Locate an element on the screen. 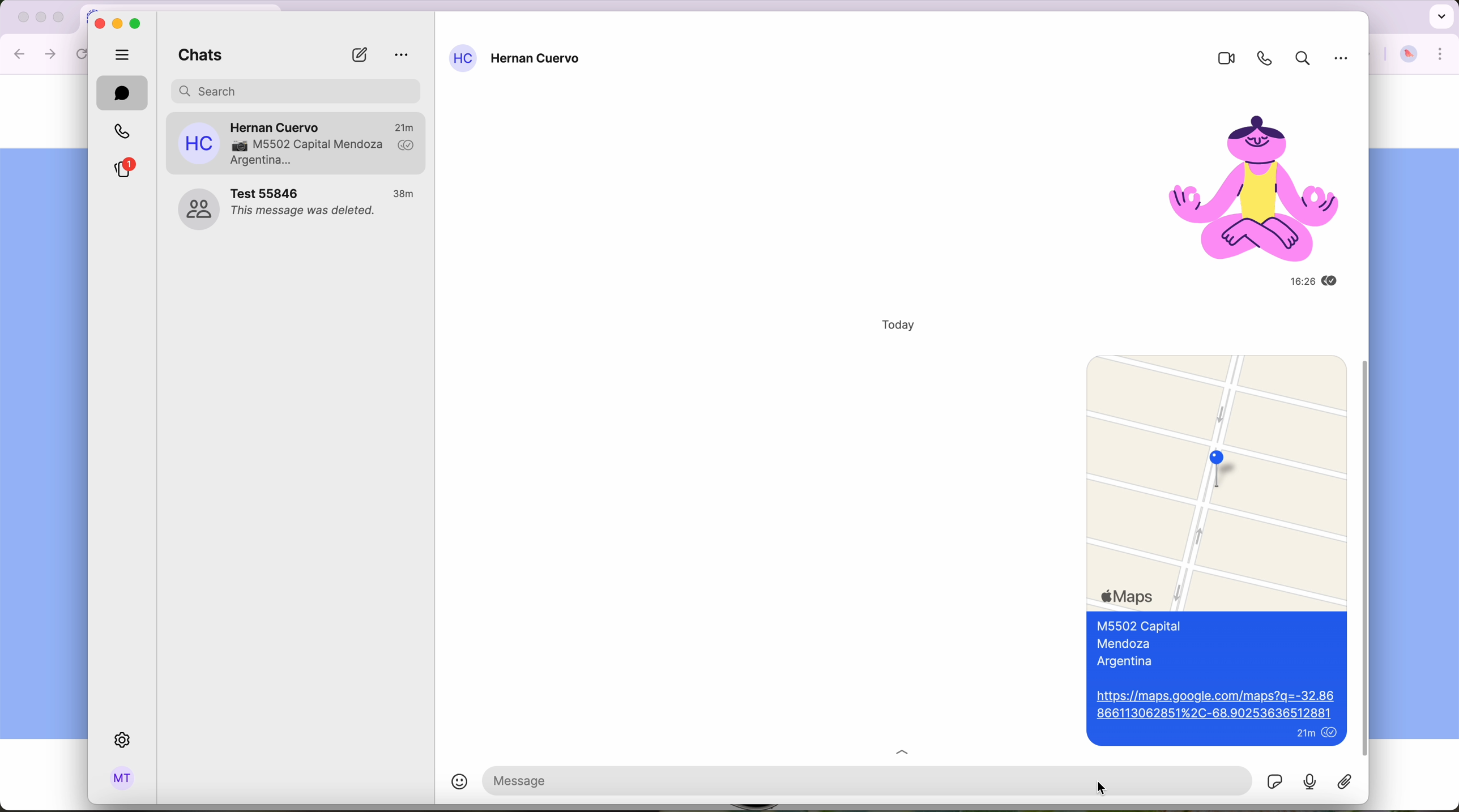  chats is located at coordinates (196, 57).